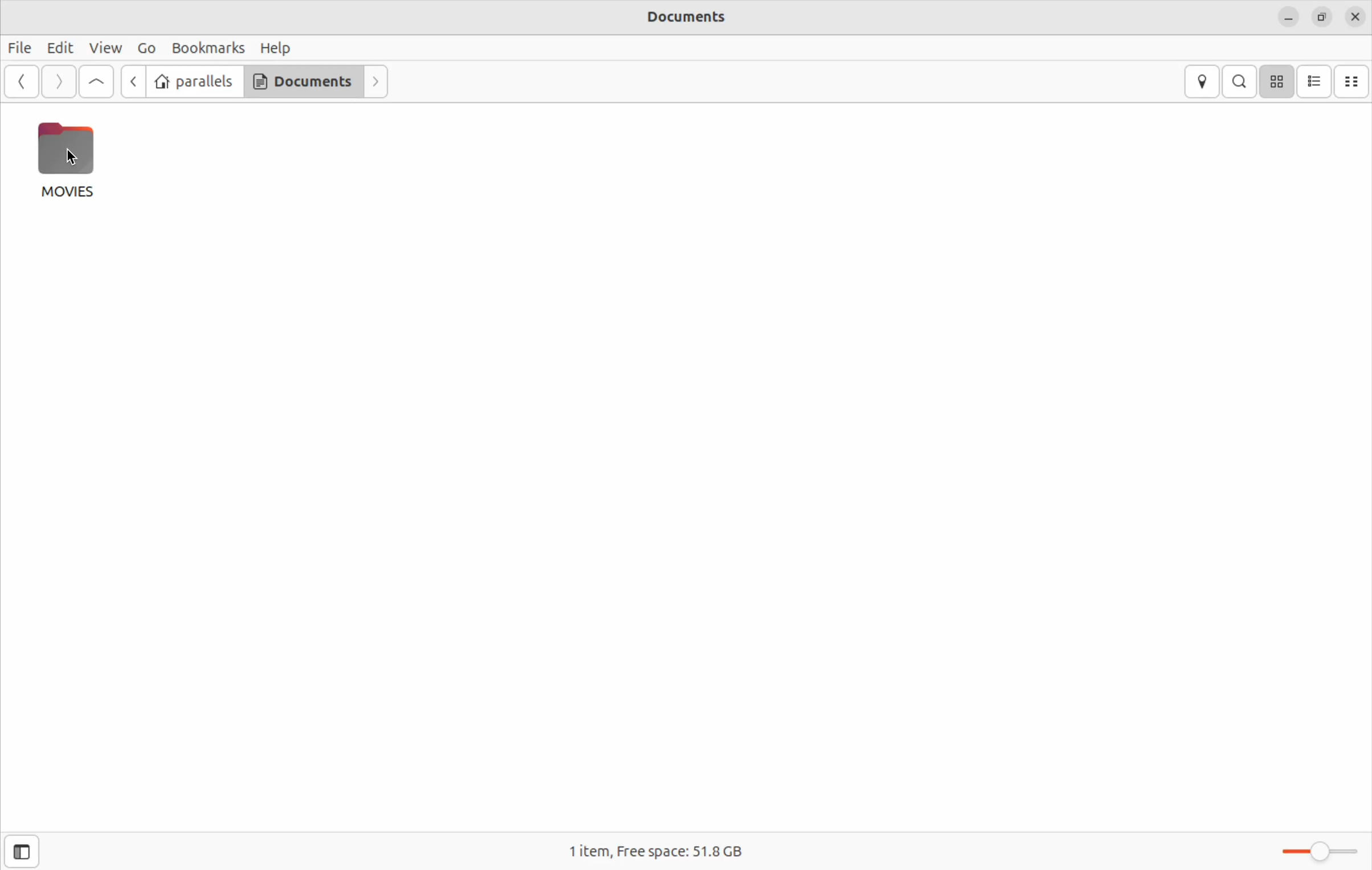 The height and width of the screenshot is (870, 1372). Describe the element at coordinates (1317, 81) in the screenshot. I see `List view` at that location.